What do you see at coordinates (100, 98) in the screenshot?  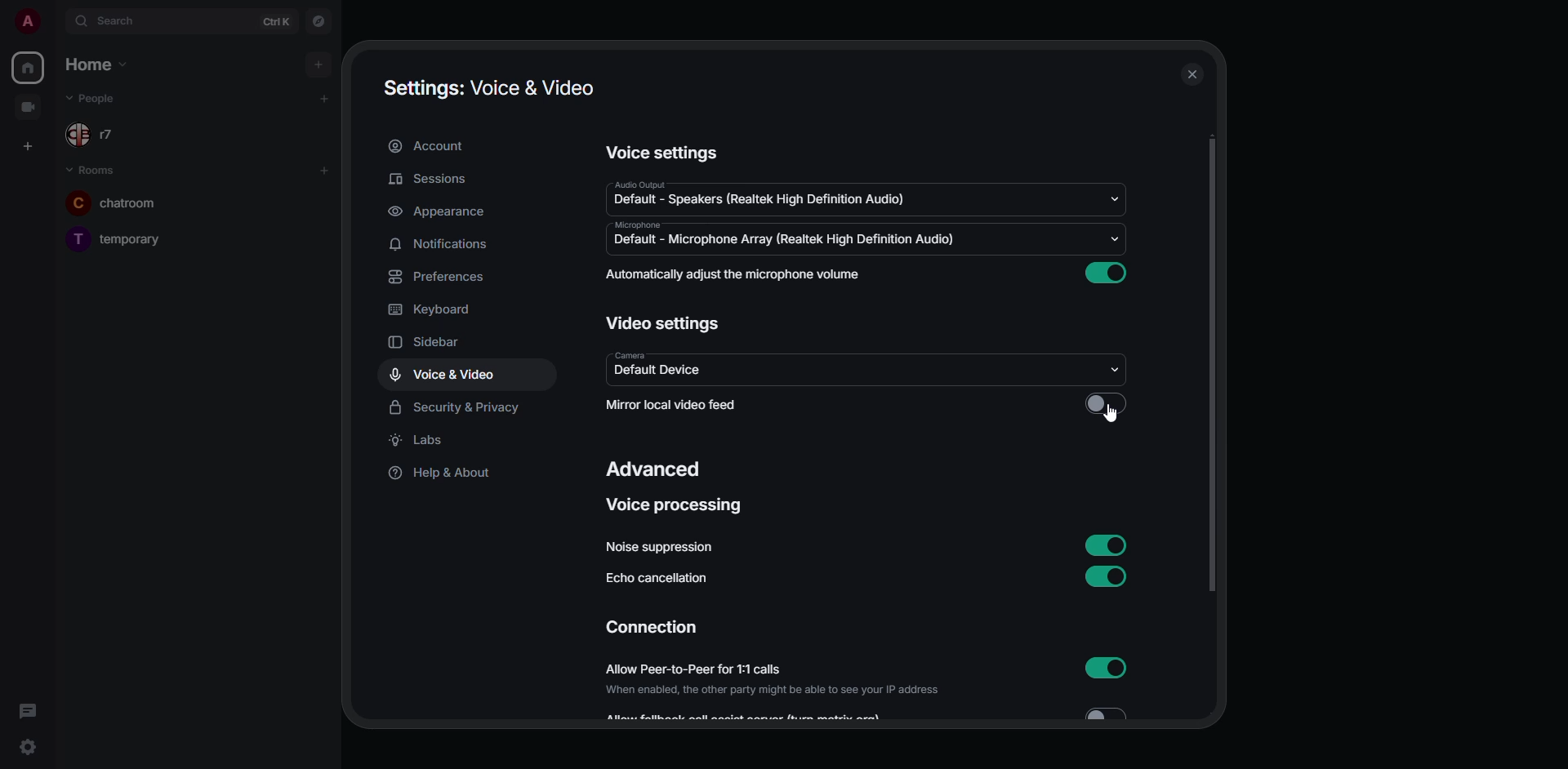 I see `people` at bounding box center [100, 98].